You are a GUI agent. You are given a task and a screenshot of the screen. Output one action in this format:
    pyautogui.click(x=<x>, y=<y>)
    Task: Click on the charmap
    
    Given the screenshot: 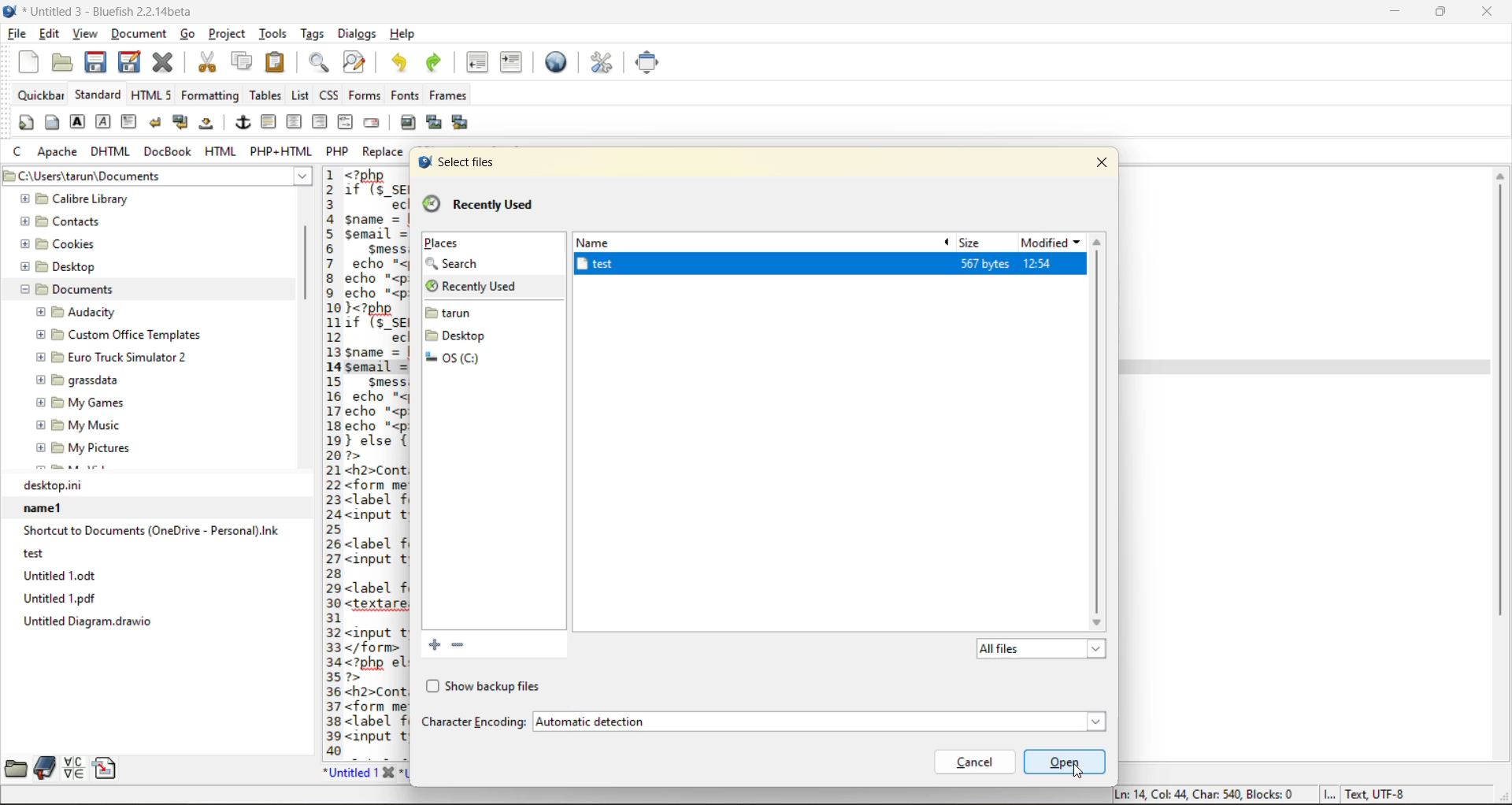 What is the action you would take?
    pyautogui.click(x=76, y=768)
    